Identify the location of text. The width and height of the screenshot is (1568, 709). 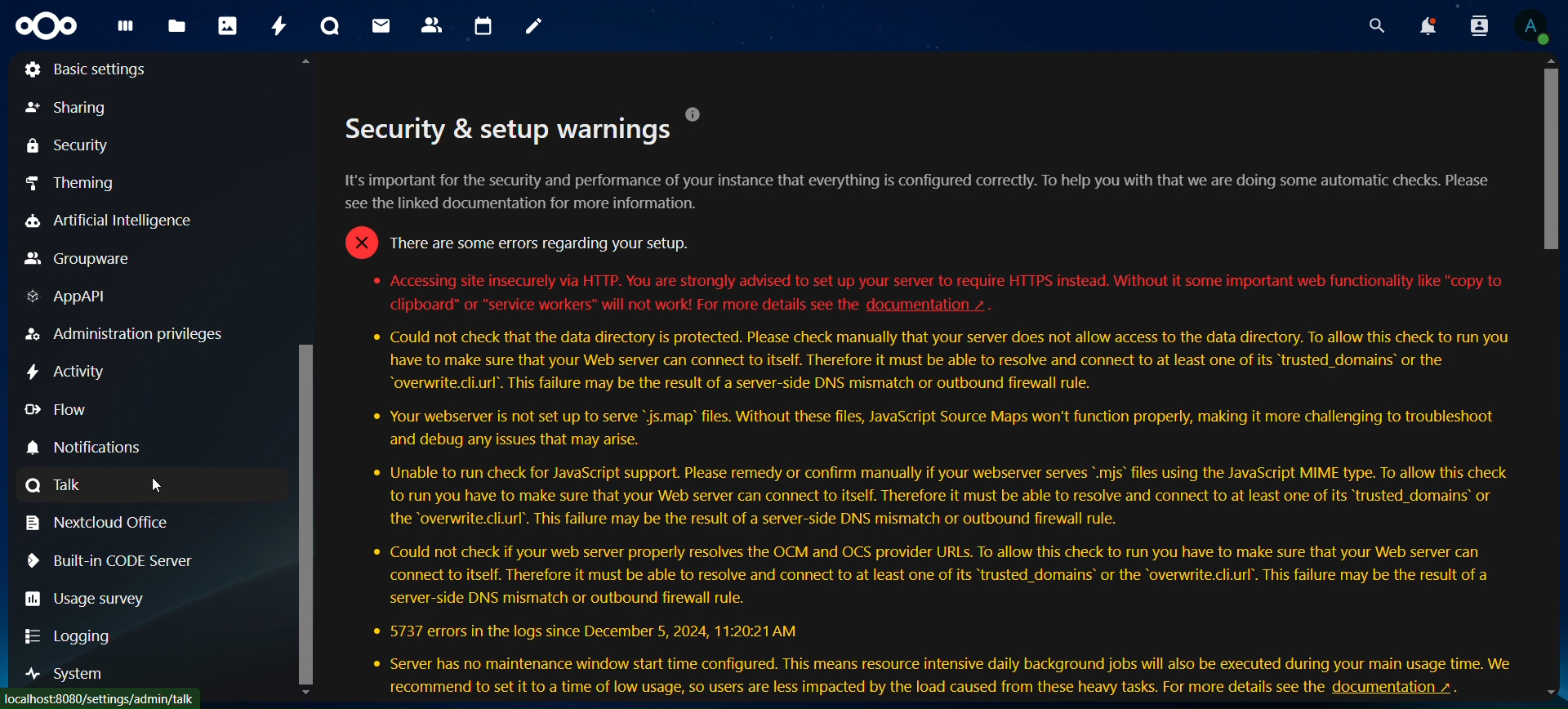
(931, 501).